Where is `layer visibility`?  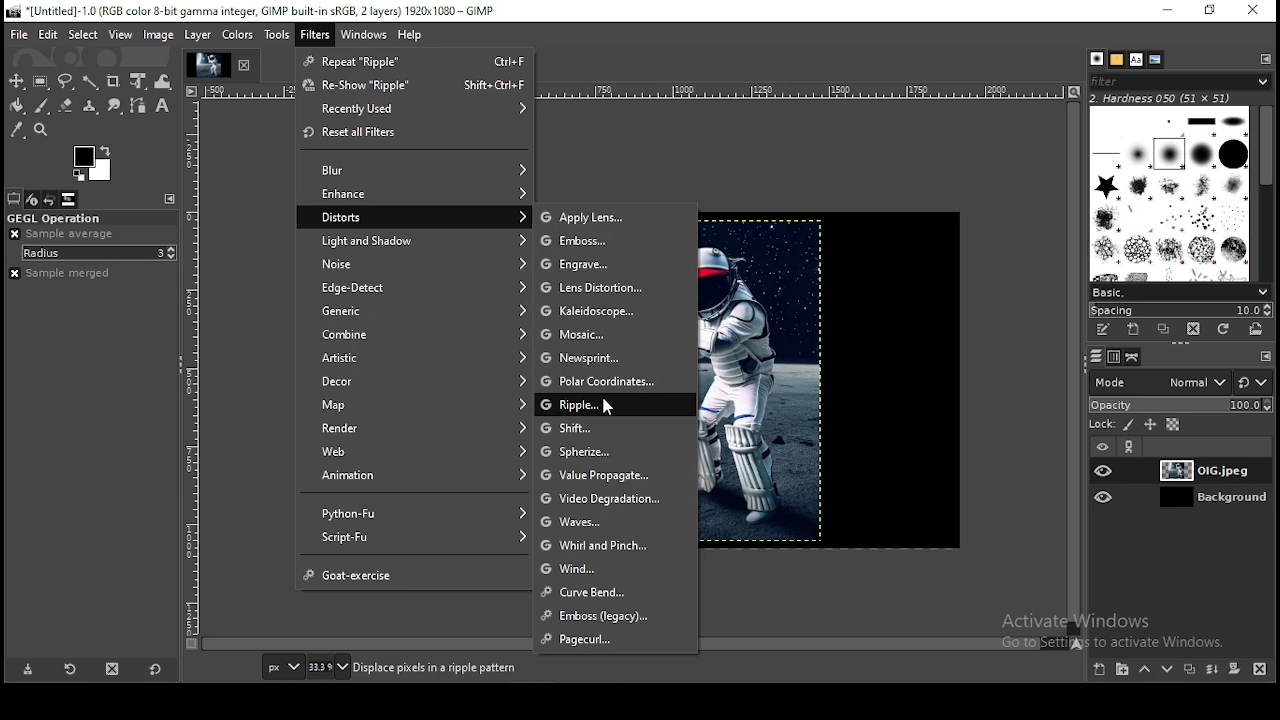
layer visibility is located at coordinates (1106, 470).